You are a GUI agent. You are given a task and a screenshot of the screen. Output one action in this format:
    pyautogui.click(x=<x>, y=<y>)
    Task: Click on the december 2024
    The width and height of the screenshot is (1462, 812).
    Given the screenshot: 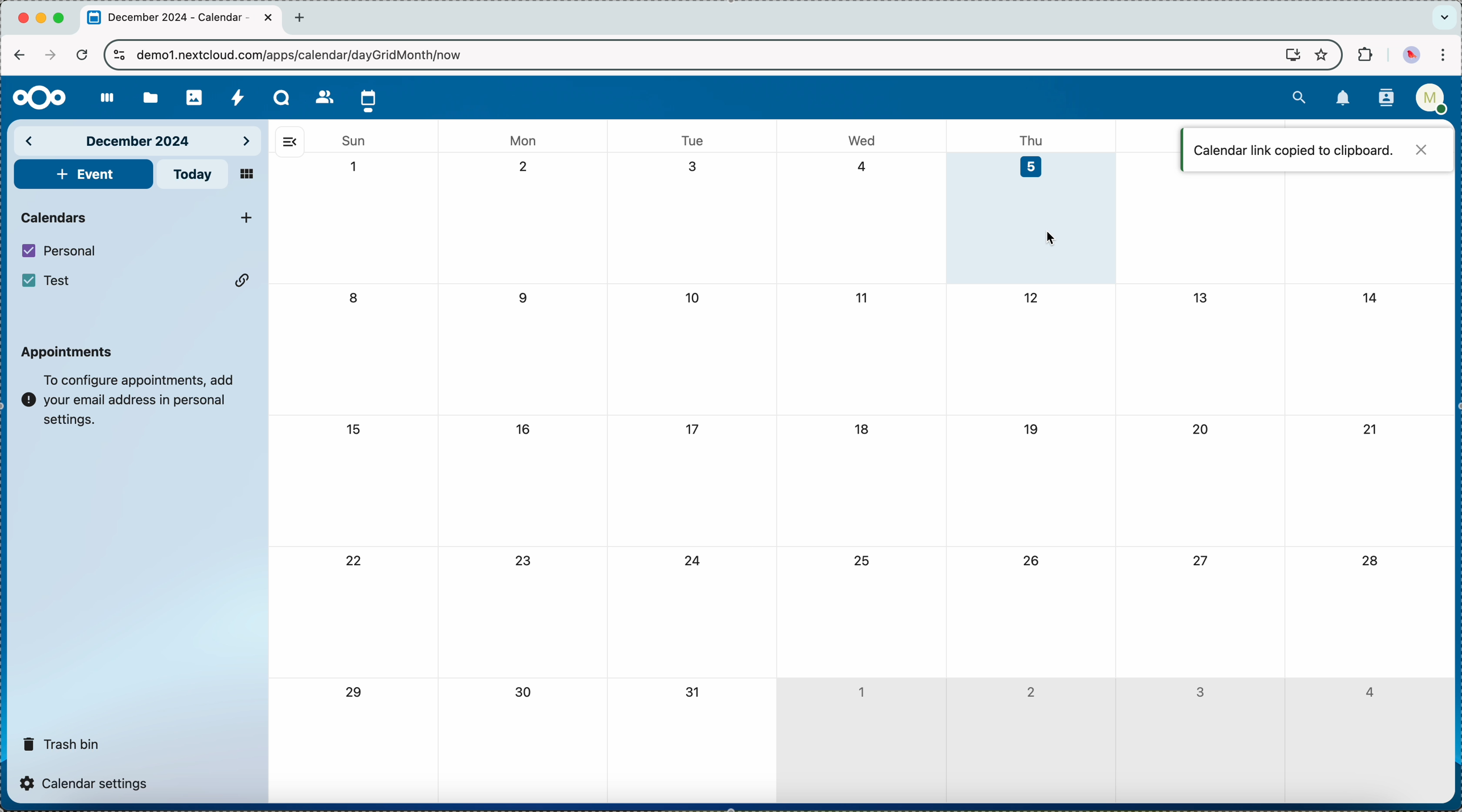 What is the action you would take?
    pyautogui.click(x=140, y=140)
    